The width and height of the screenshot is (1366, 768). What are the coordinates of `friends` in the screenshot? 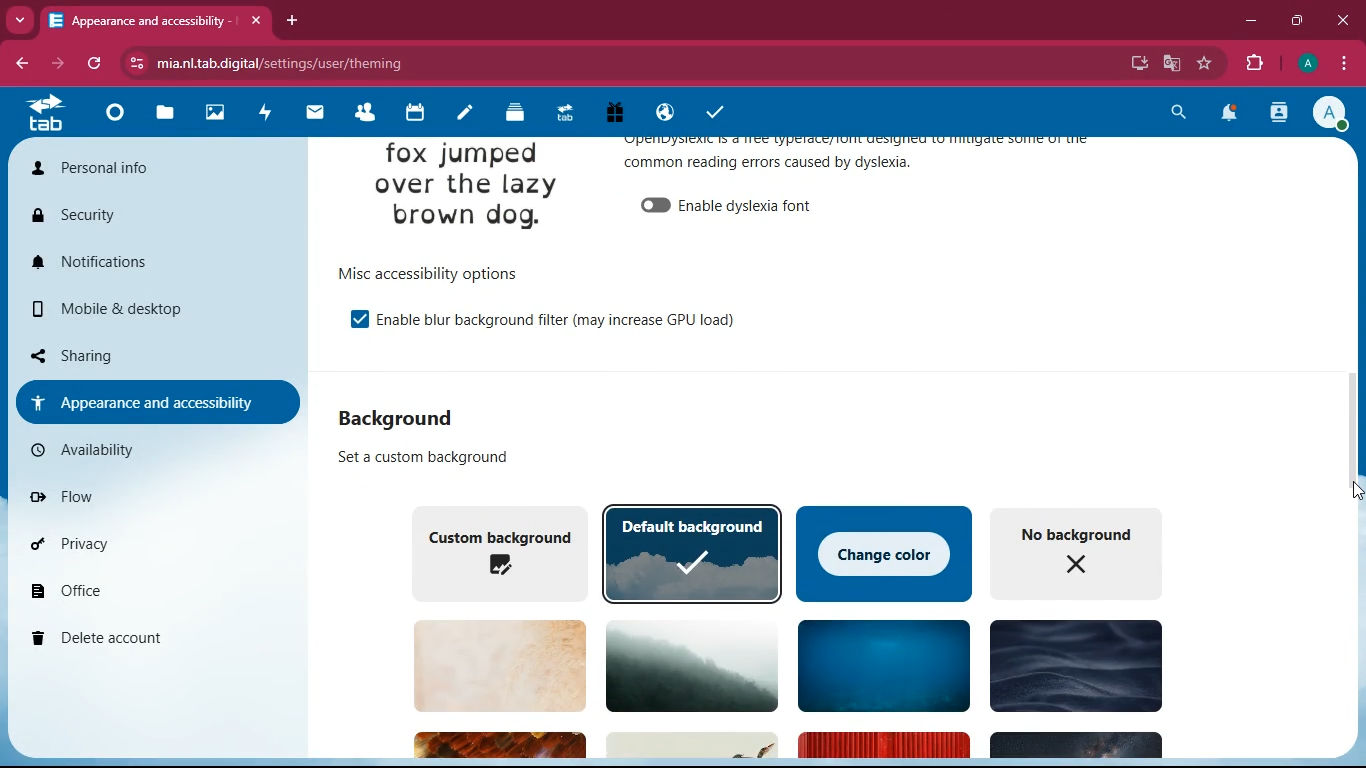 It's located at (367, 114).